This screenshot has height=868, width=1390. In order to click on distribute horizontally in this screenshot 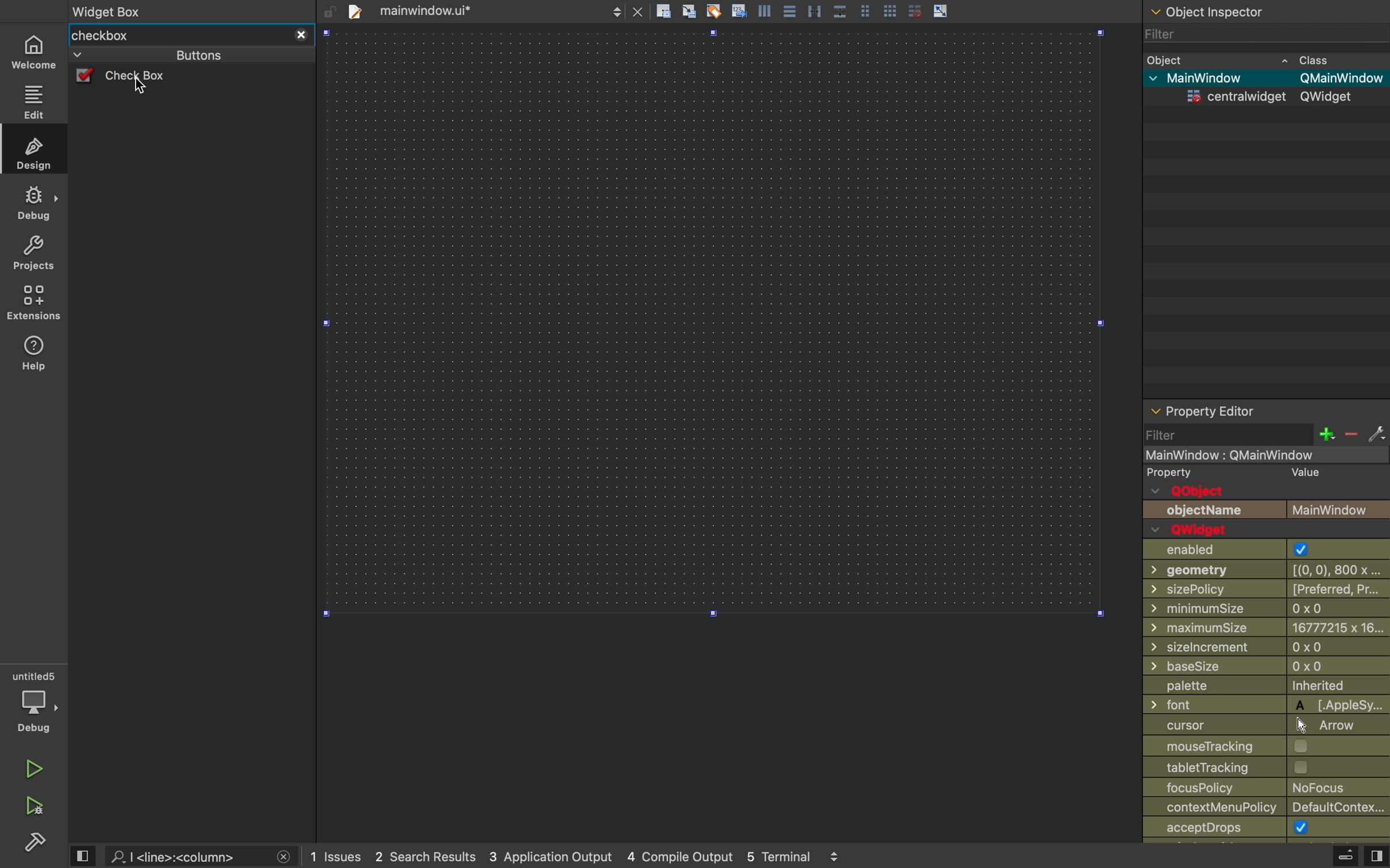, I will do `click(813, 10)`.